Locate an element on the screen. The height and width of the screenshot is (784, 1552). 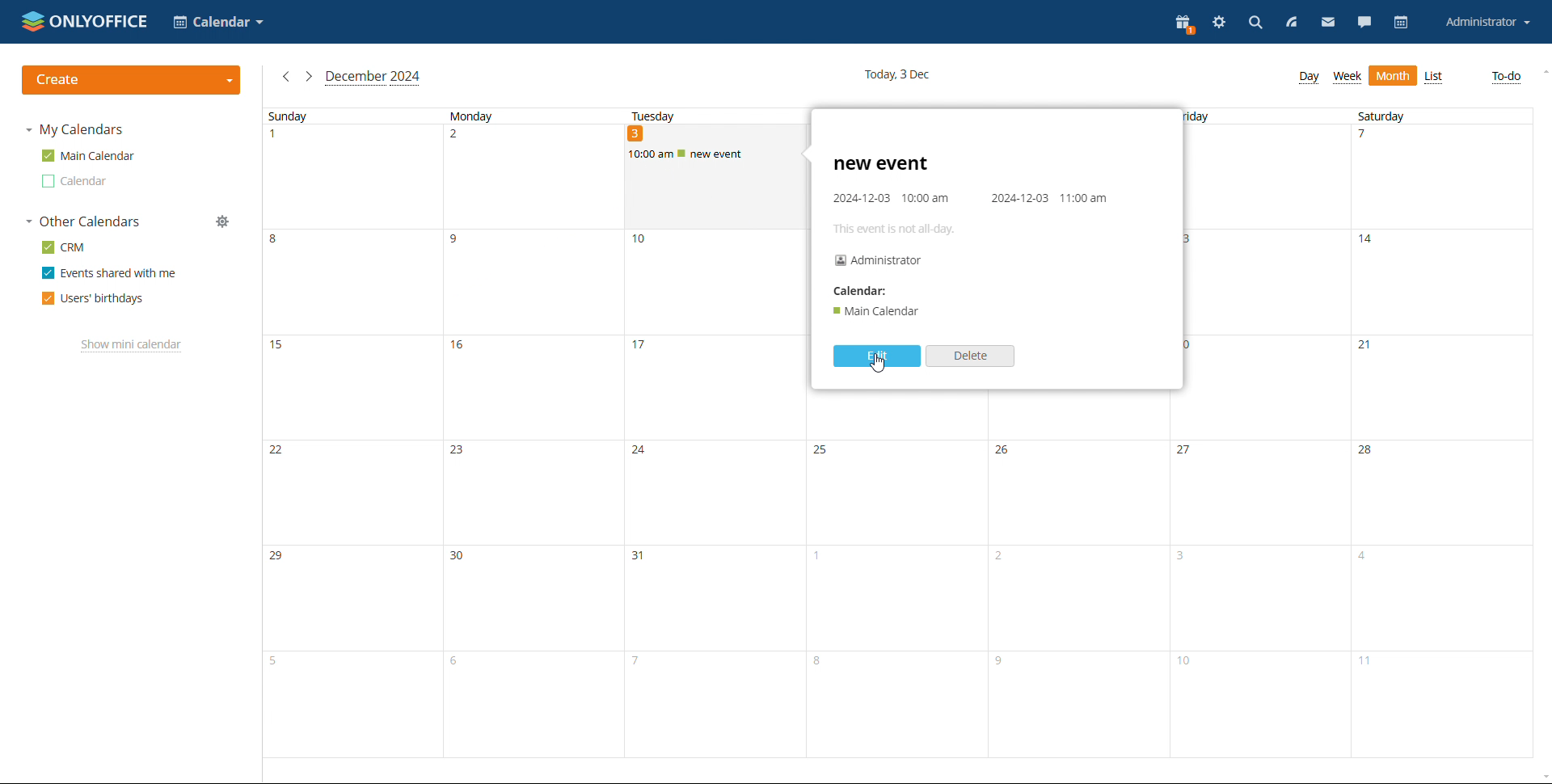
events shared with me is located at coordinates (110, 272).